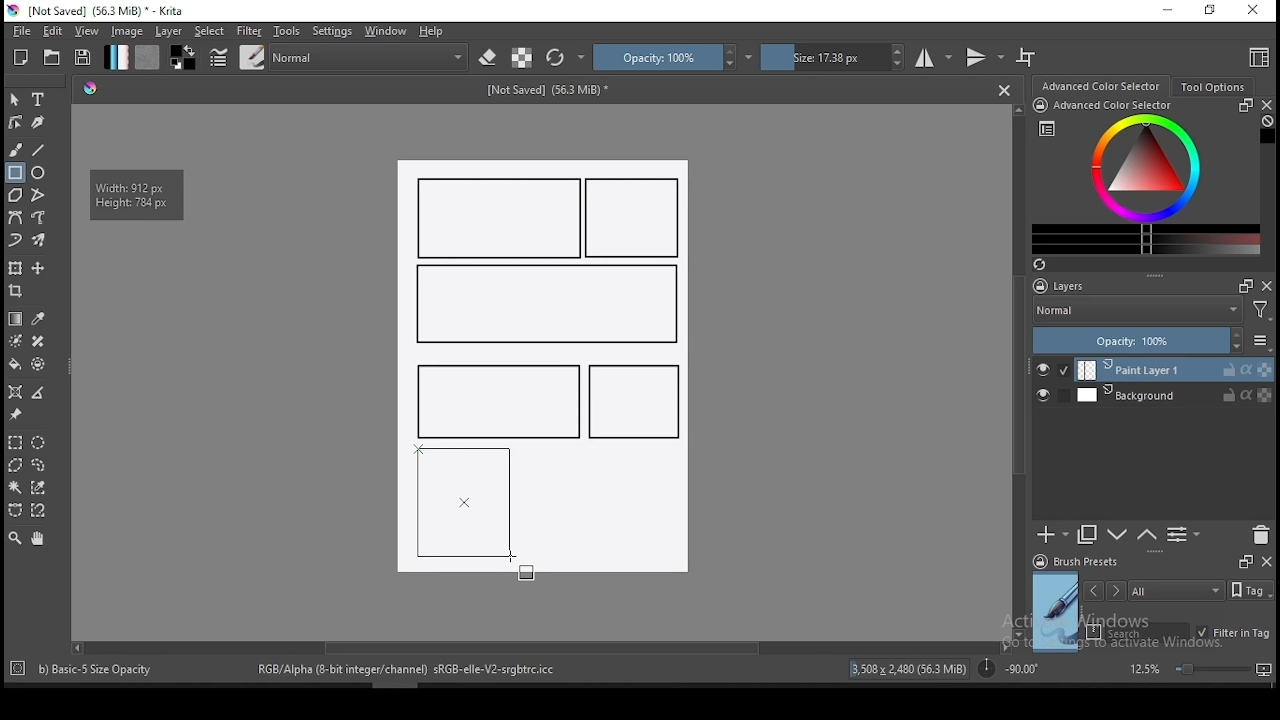 The width and height of the screenshot is (1280, 720). I want to click on opacity, so click(1150, 342).